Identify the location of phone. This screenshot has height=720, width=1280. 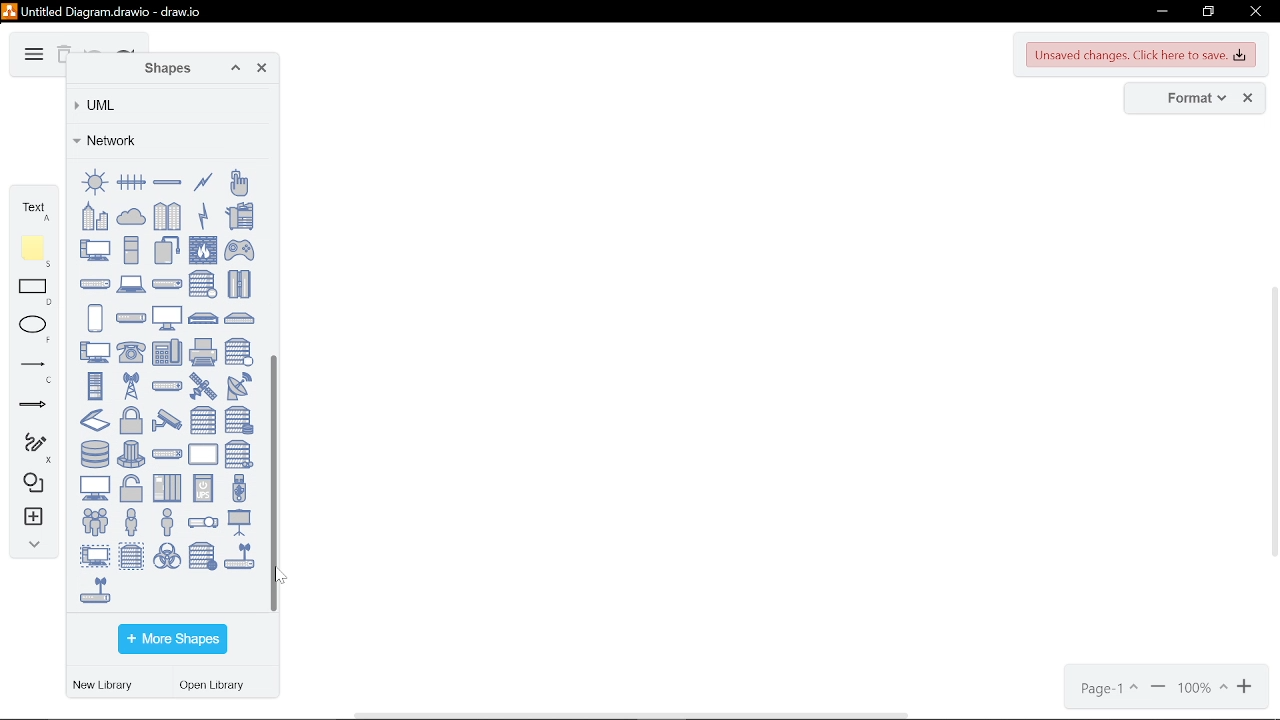
(167, 352).